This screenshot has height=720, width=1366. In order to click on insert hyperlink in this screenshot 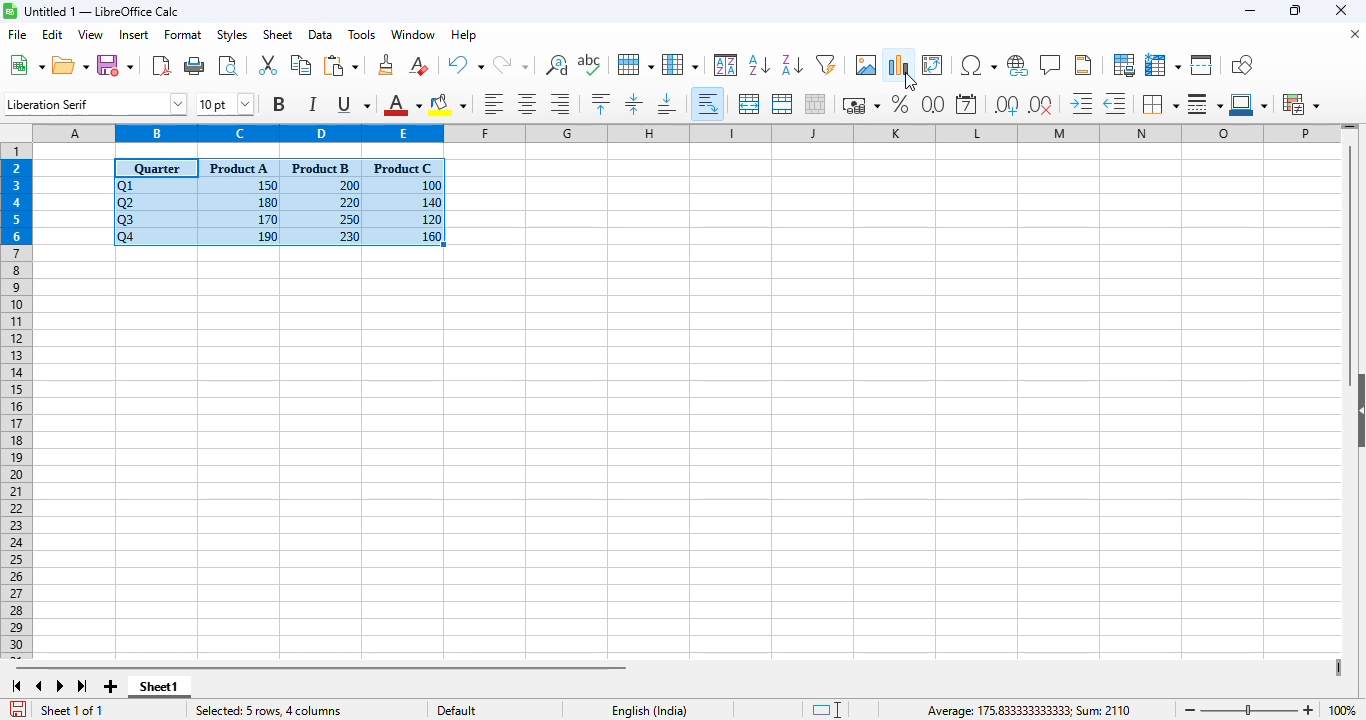, I will do `click(1018, 66)`.